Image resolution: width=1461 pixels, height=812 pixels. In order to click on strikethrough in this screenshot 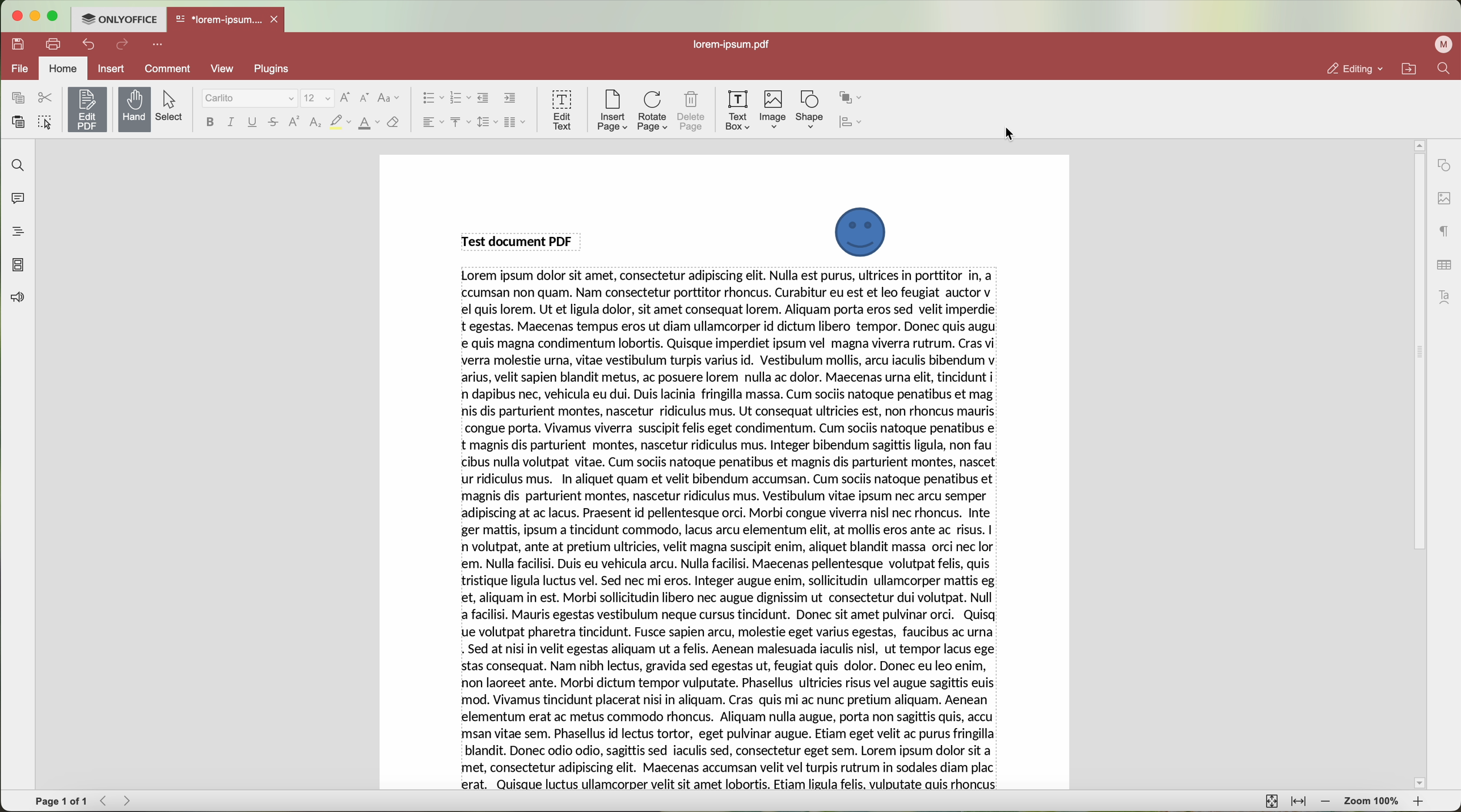, I will do `click(275, 124)`.